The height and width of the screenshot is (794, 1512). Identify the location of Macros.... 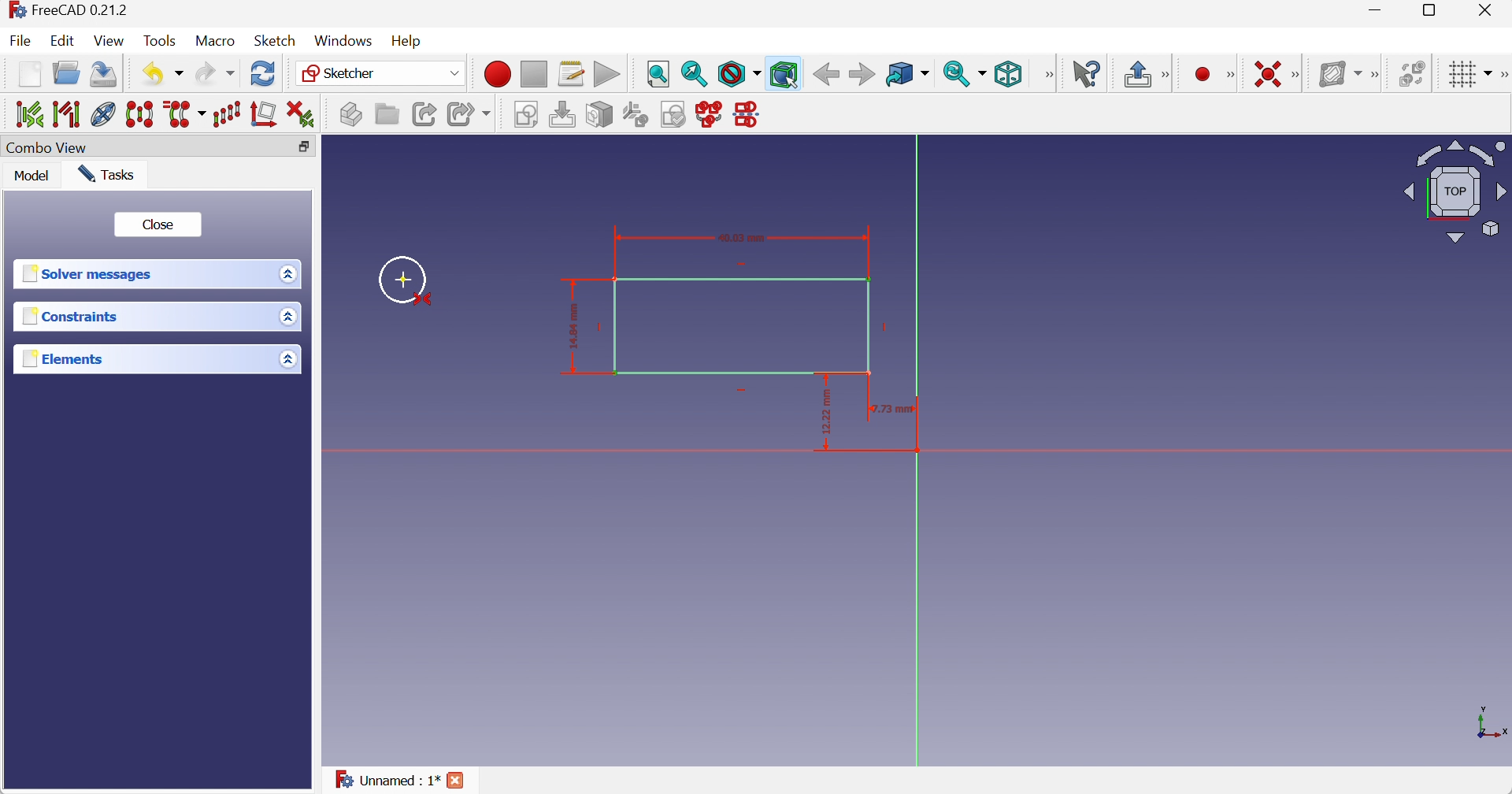
(571, 75).